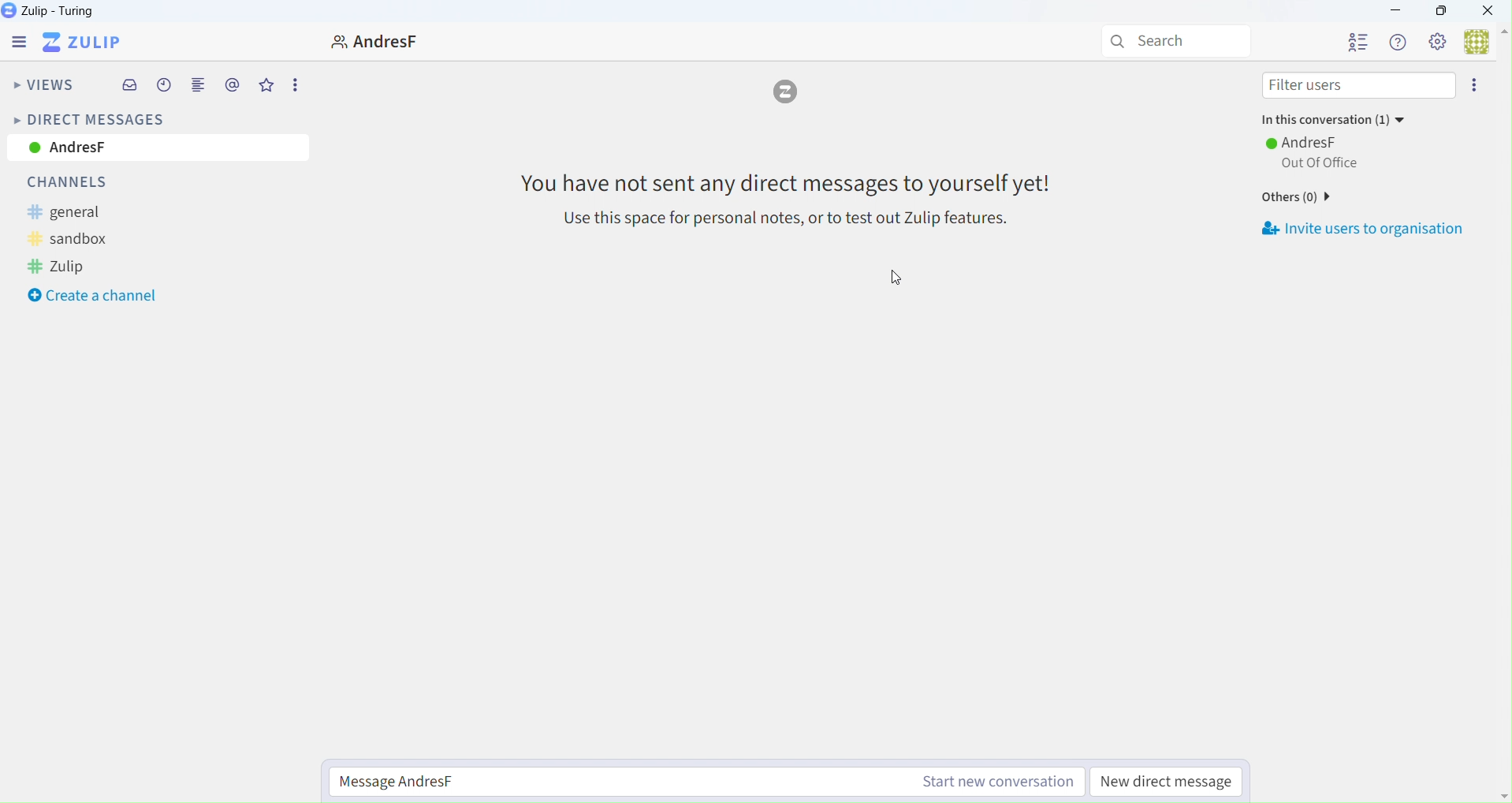  Describe the element at coordinates (233, 85) in the screenshot. I see `Mentions` at that location.